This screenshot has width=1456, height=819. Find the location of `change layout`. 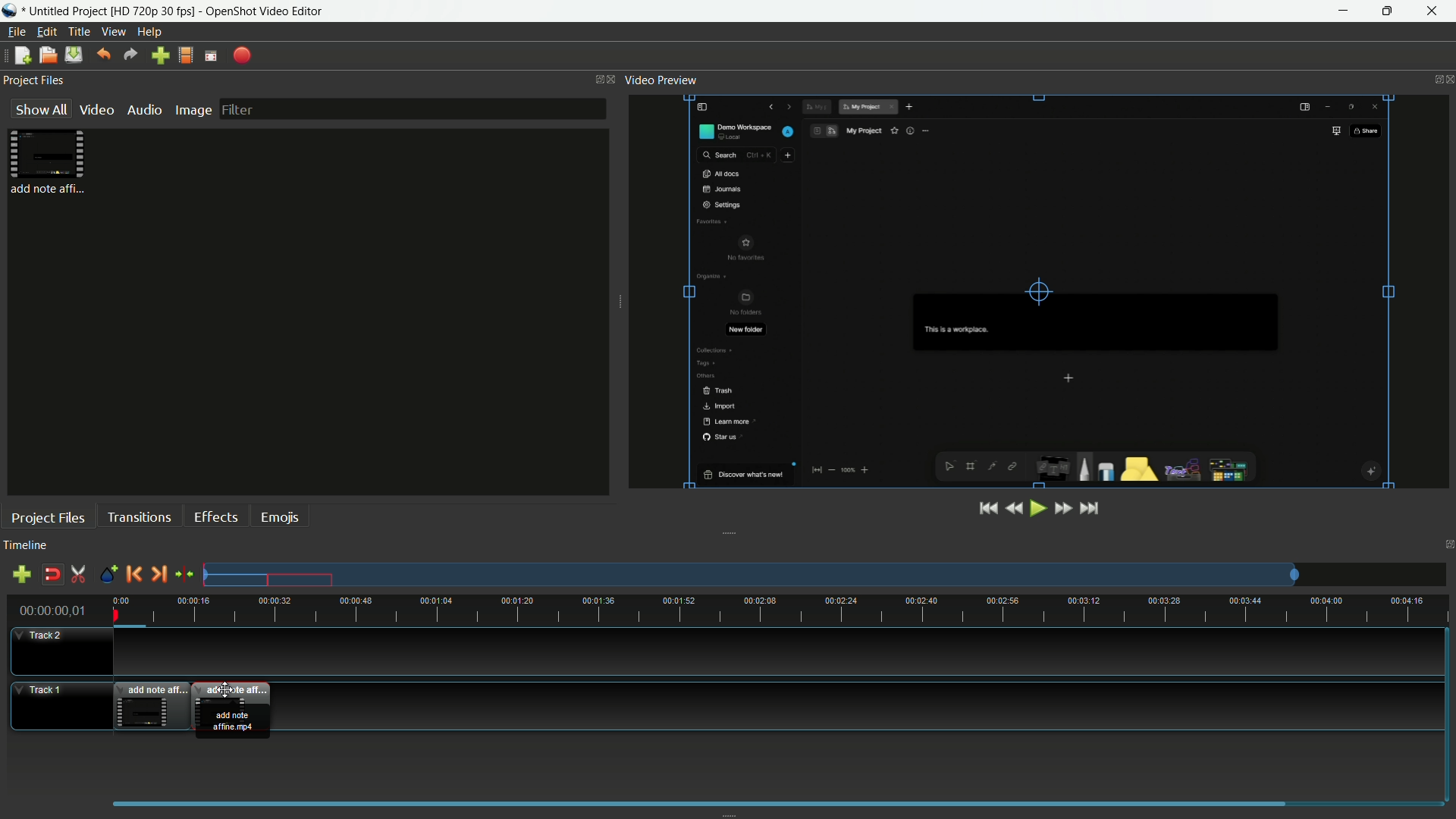

change layout is located at coordinates (593, 80).